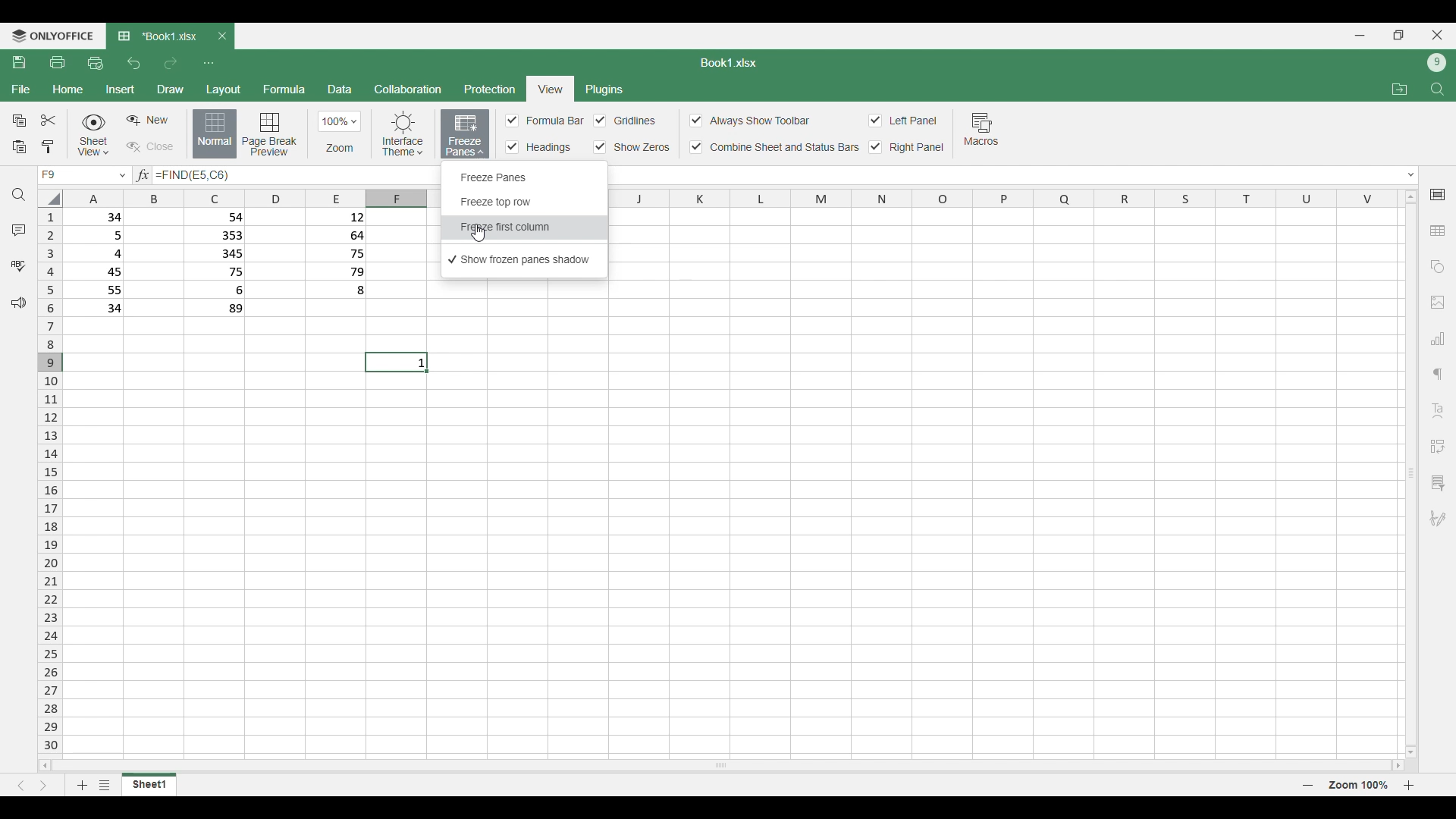 The width and height of the screenshot is (1456, 819). I want to click on move up, so click(1412, 196).